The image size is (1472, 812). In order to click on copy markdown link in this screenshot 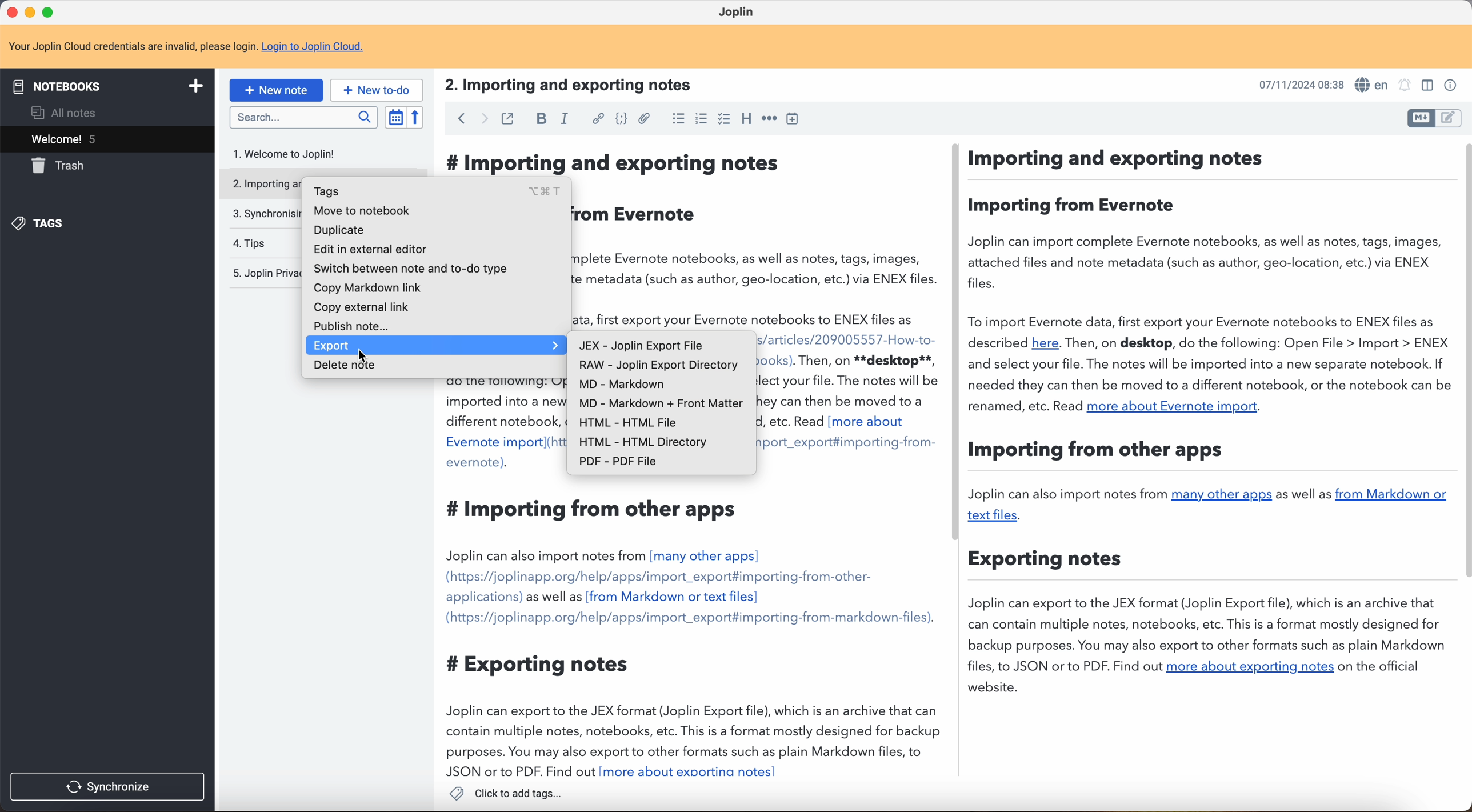, I will do `click(369, 288)`.